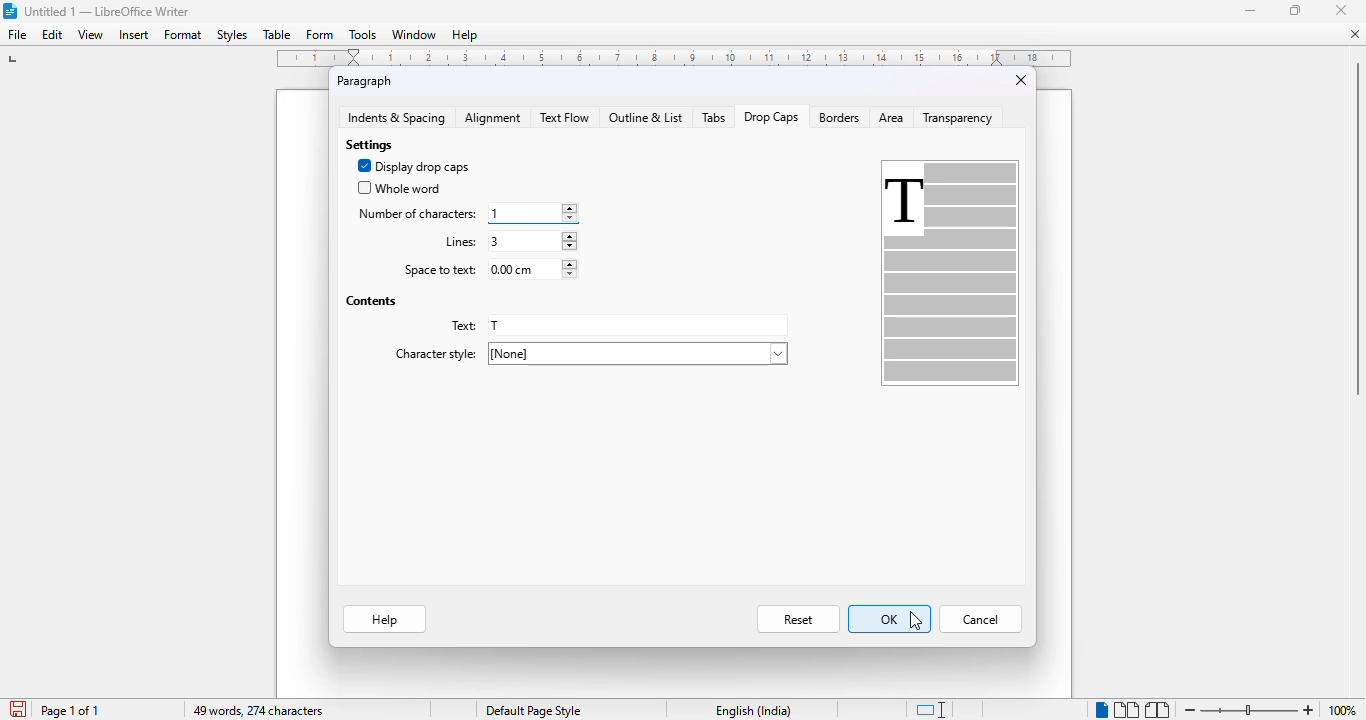  Describe the element at coordinates (18, 709) in the screenshot. I see `click to save document` at that location.